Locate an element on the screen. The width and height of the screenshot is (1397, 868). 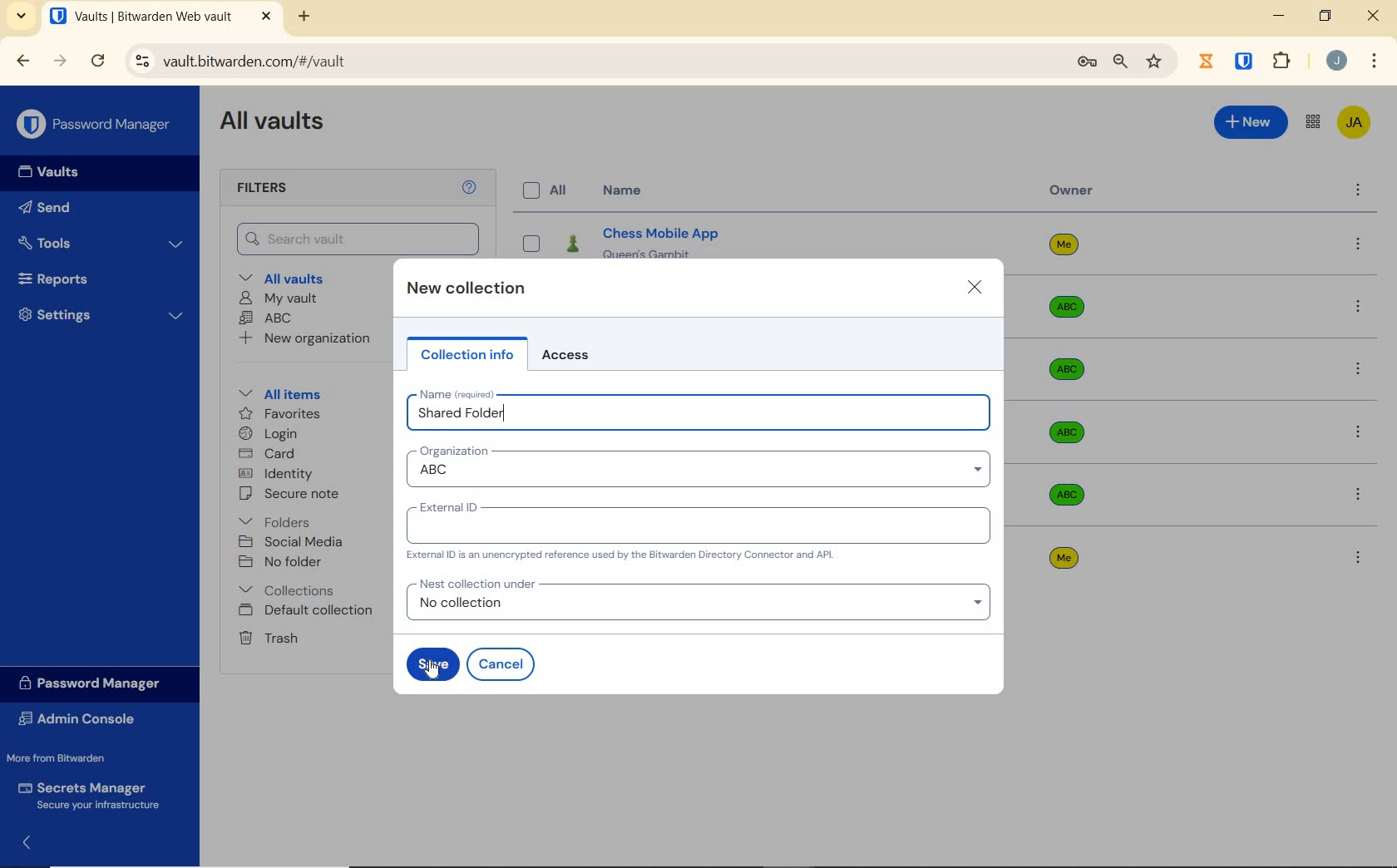
All Vaults is located at coordinates (277, 121).